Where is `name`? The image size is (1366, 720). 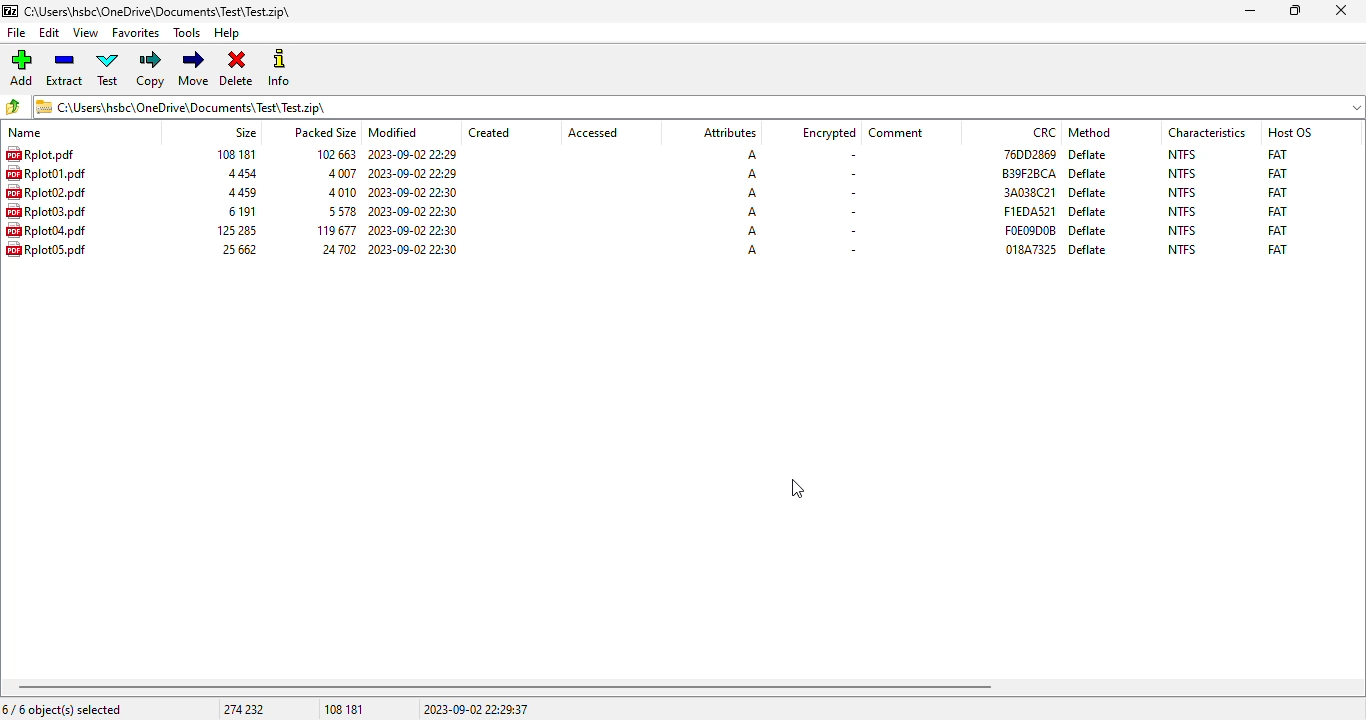
name is located at coordinates (25, 133).